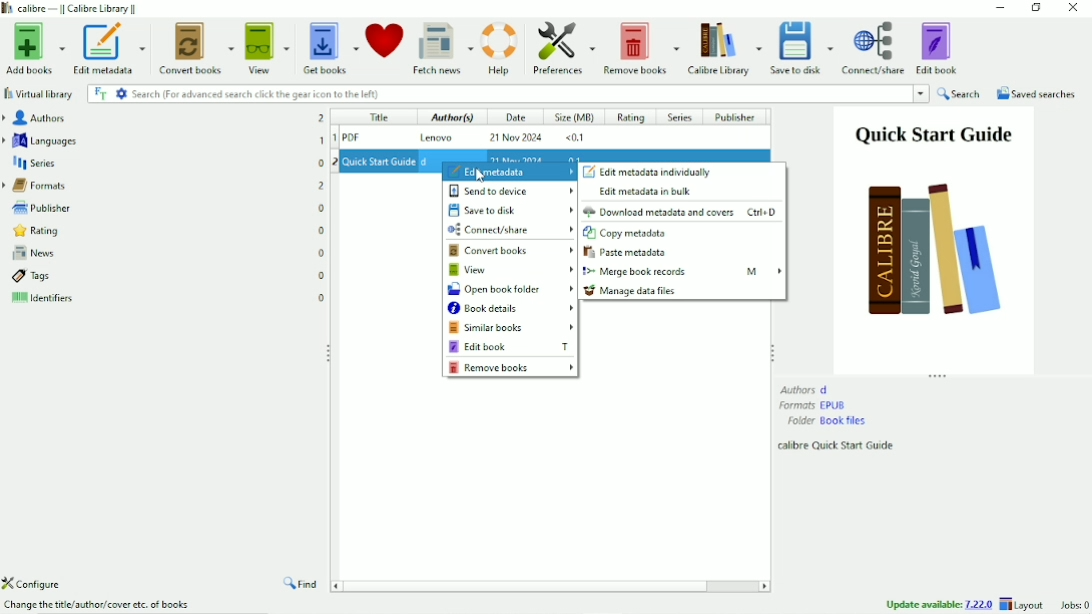  Describe the element at coordinates (530, 94) in the screenshot. I see `Search` at that location.